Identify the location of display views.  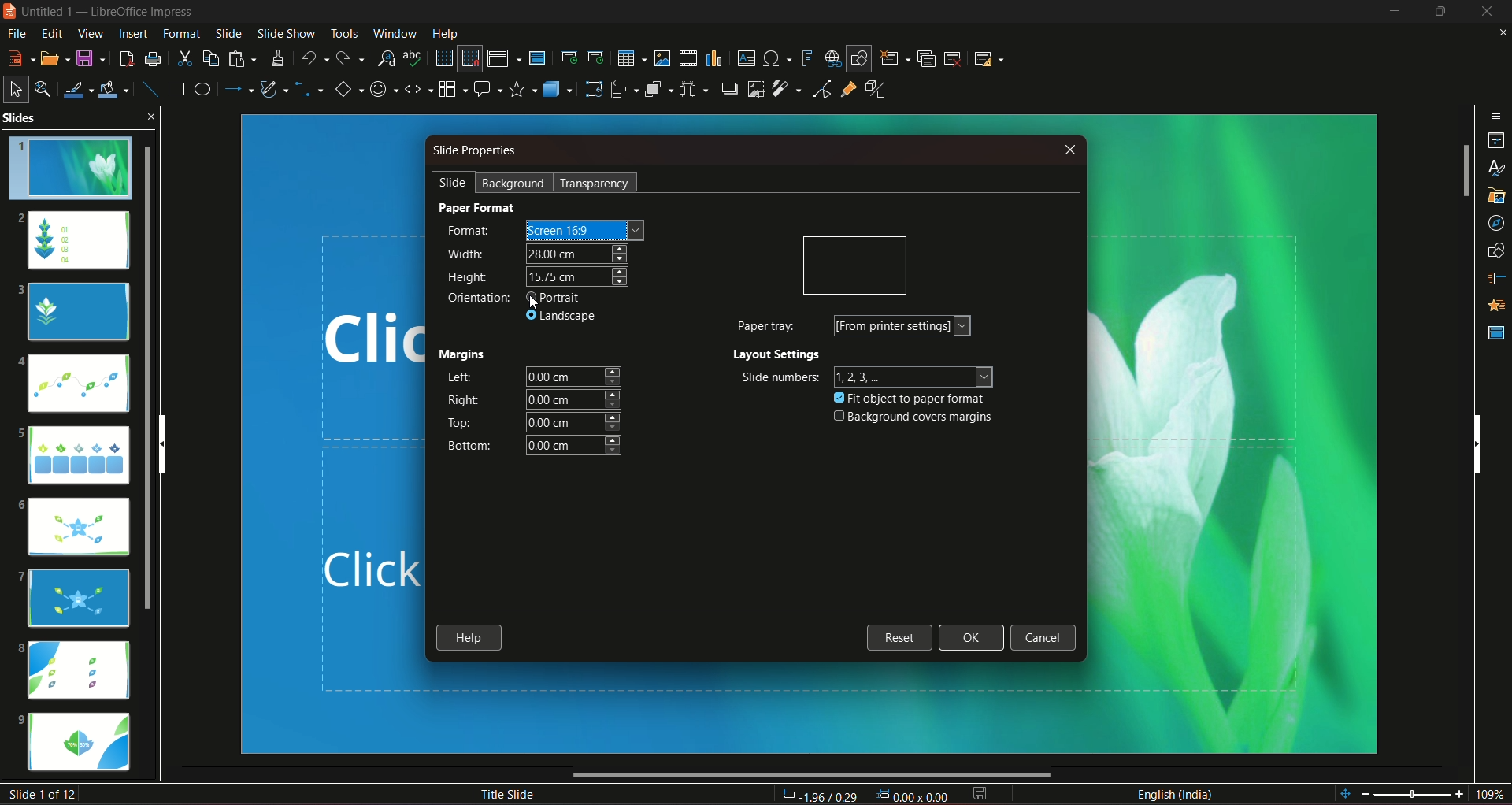
(503, 58).